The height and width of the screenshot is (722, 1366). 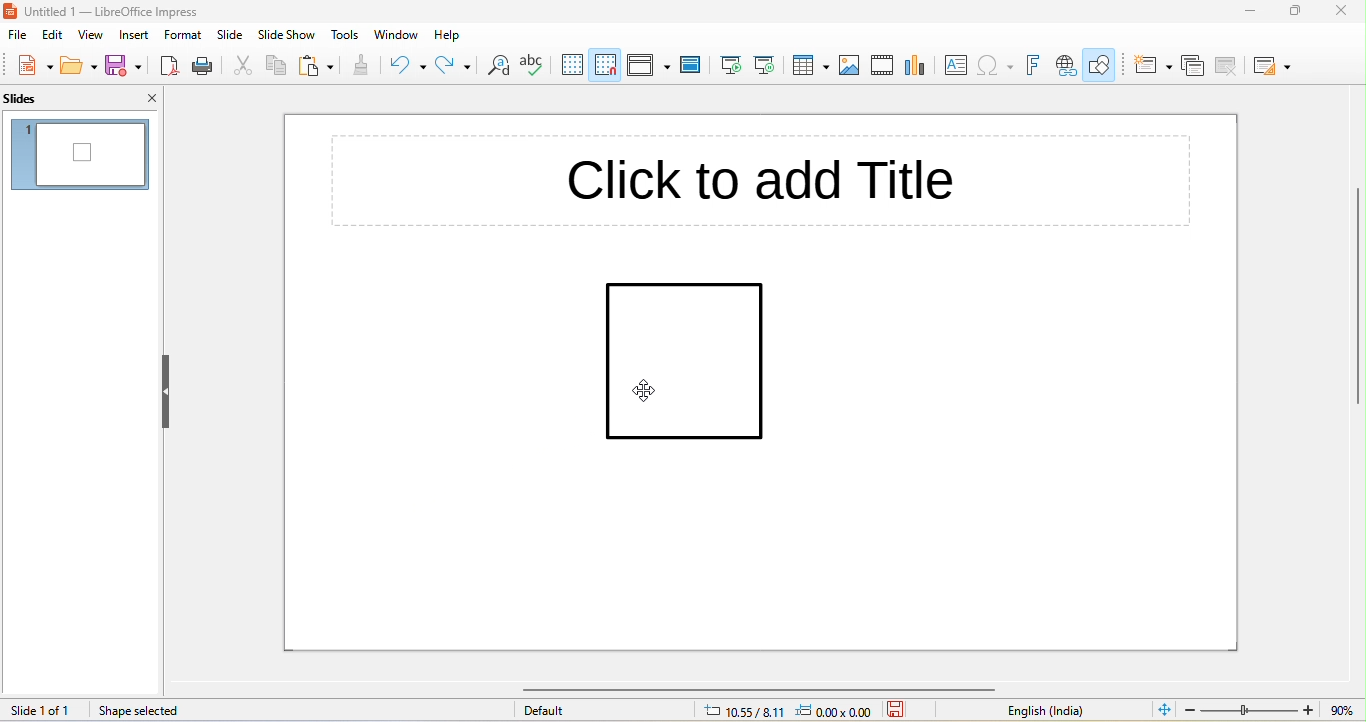 What do you see at coordinates (317, 64) in the screenshot?
I see `paste` at bounding box center [317, 64].